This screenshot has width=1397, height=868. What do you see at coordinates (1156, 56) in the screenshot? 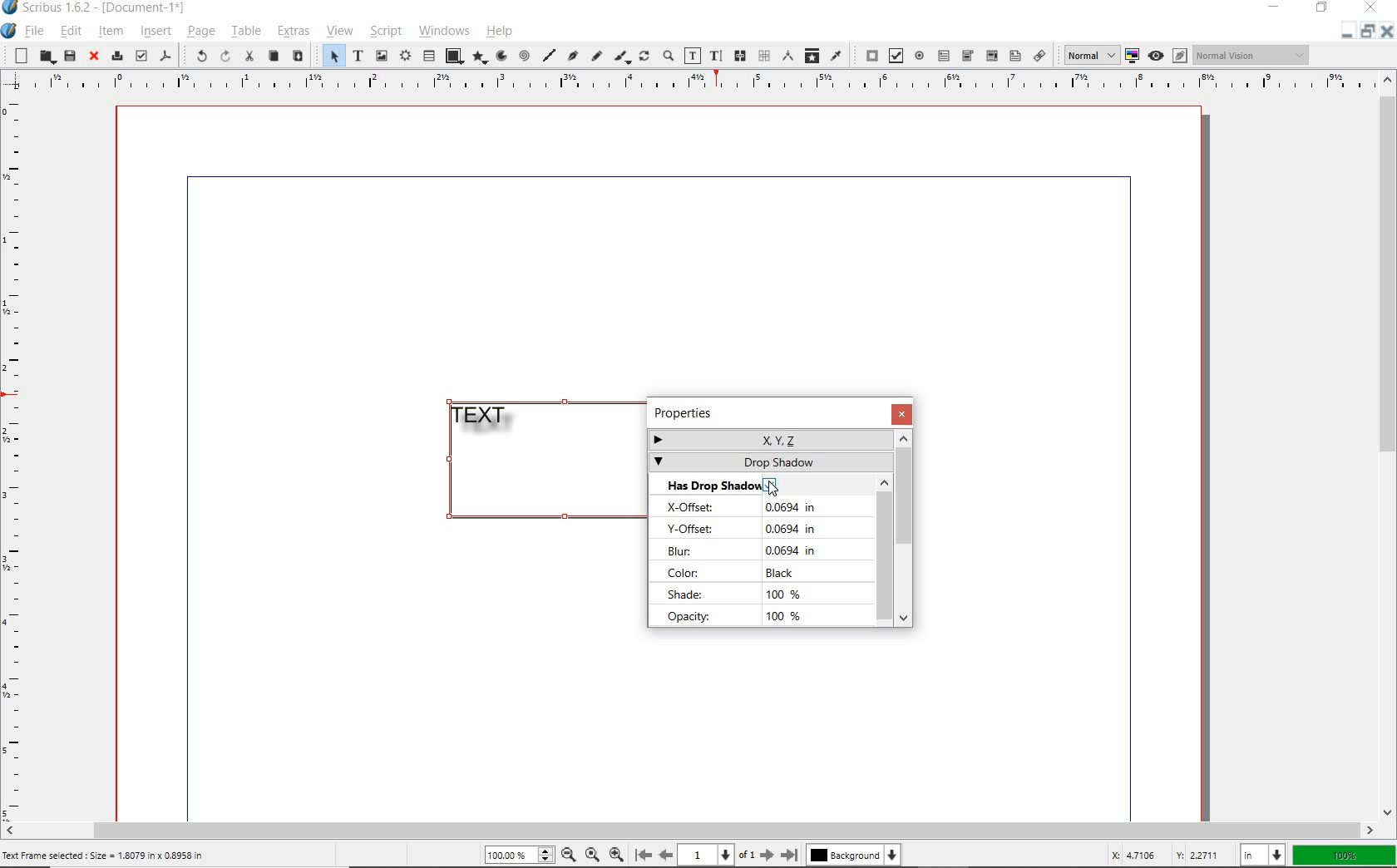
I see `preview mode` at bounding box center [1156, 56].